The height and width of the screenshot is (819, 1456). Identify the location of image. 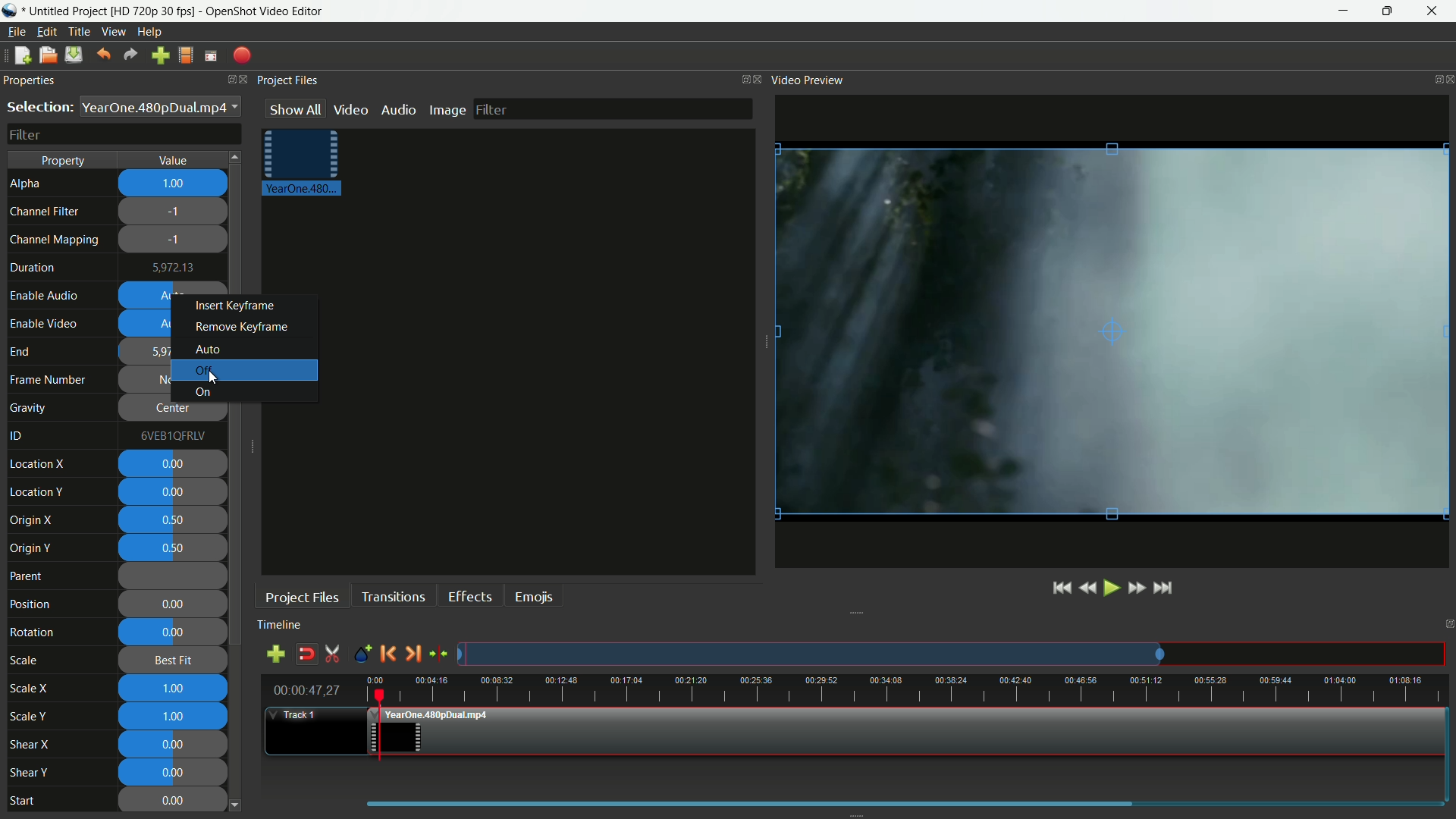
(448, 108).